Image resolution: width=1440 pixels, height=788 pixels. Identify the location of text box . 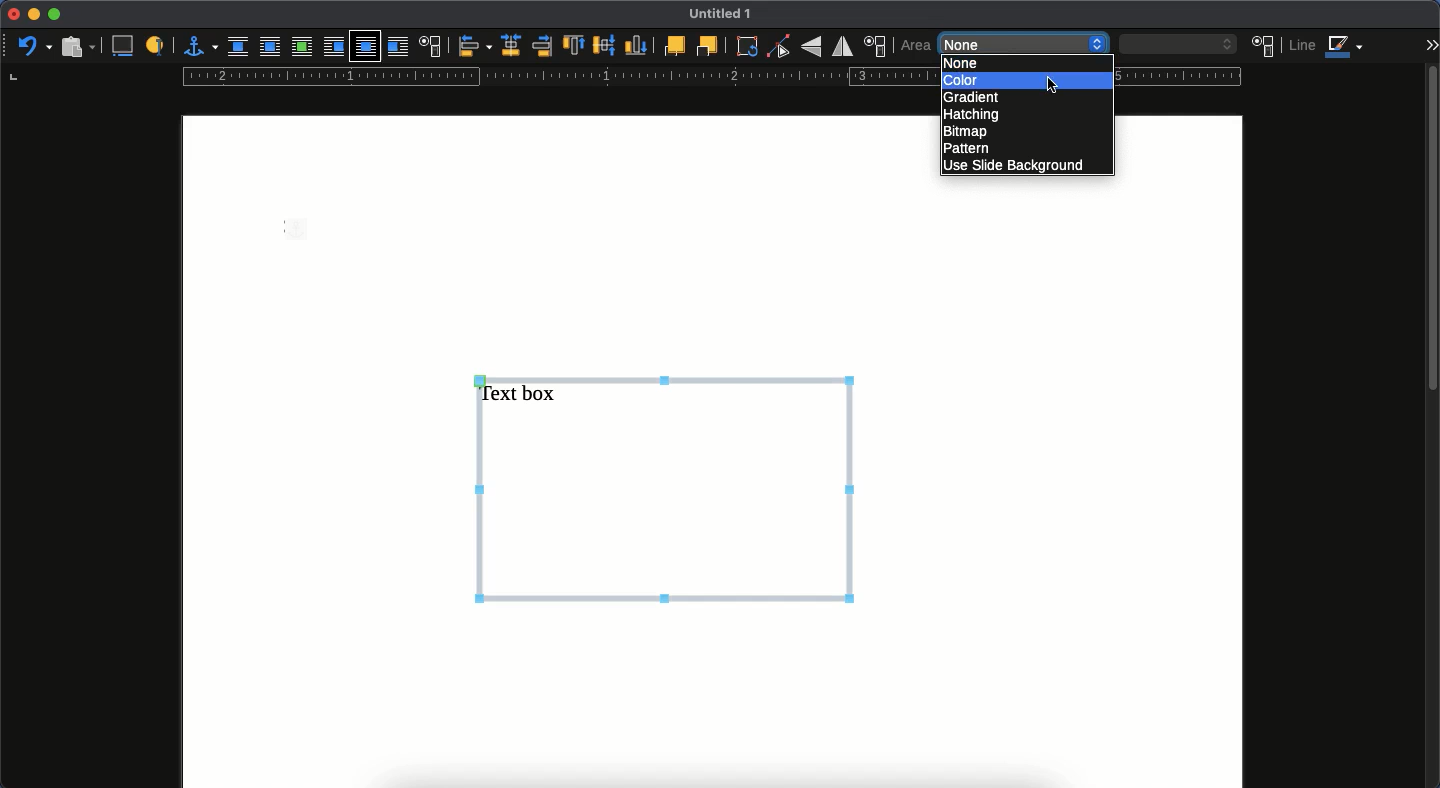
(667, 486).